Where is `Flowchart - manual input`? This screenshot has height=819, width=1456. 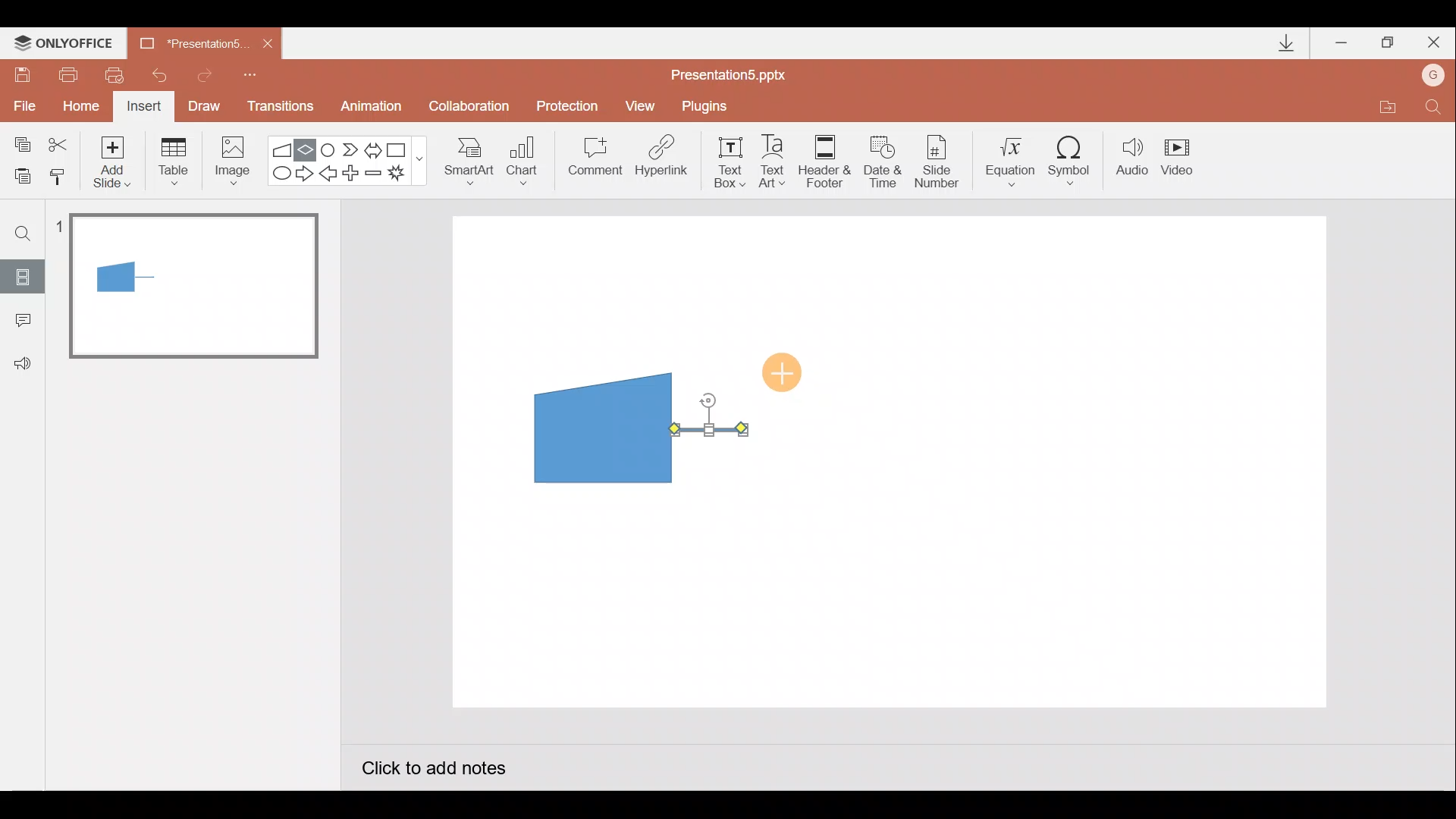
Flowchart - manual input is located at coordinates (284, 148).